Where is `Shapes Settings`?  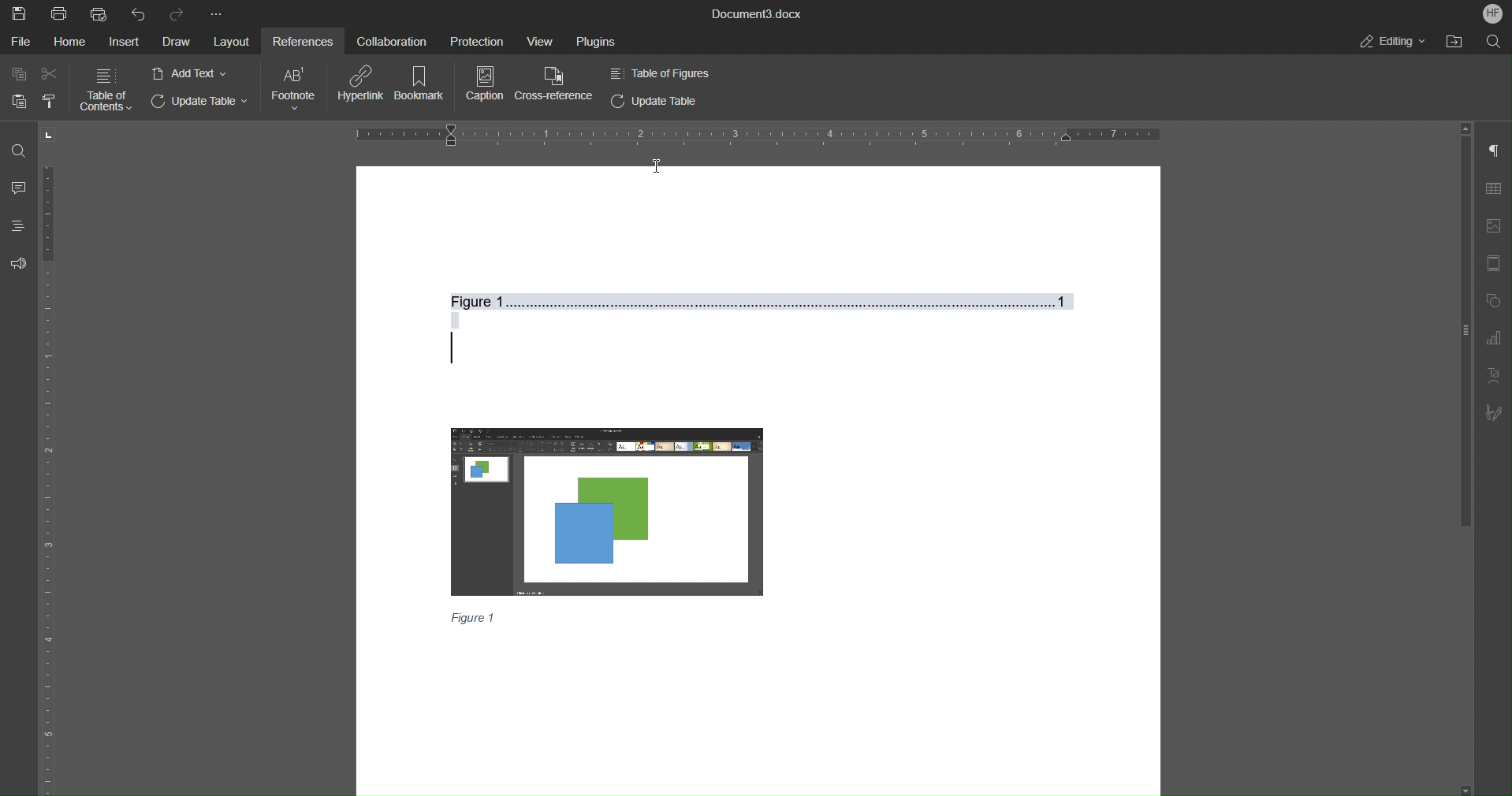 Shapes Settings is located at coordinates (1495, 303).